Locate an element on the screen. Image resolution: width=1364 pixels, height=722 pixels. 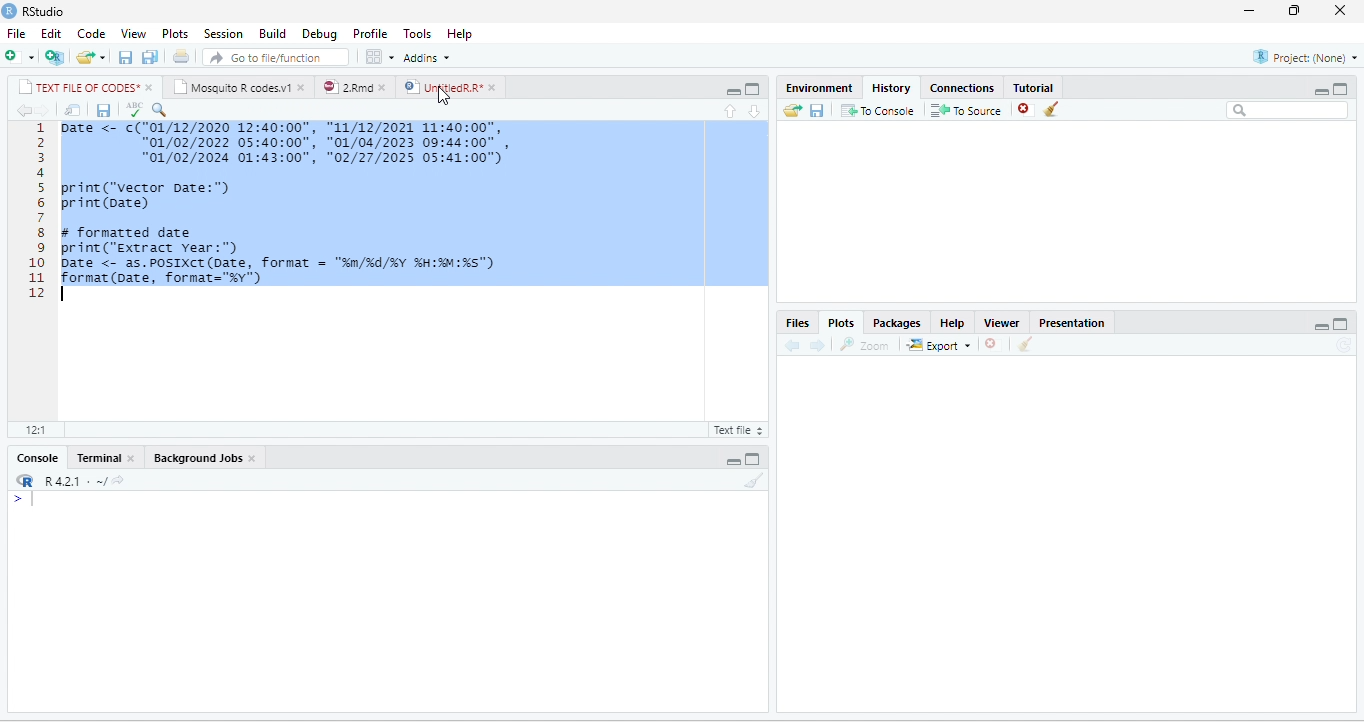
minimize is located at coordinates (733, 462).